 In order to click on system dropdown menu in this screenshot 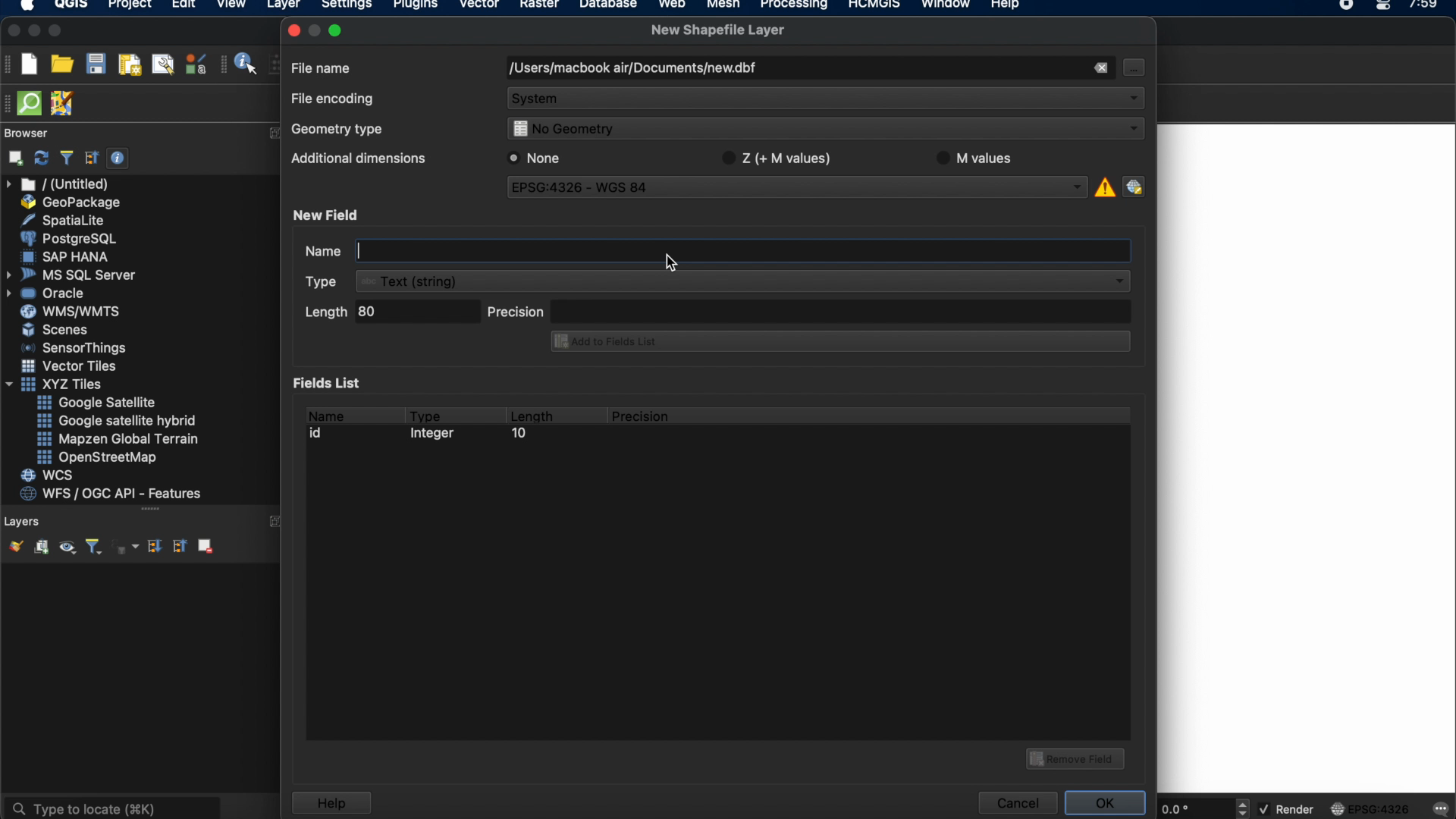, I will do `click(827, 100)`.